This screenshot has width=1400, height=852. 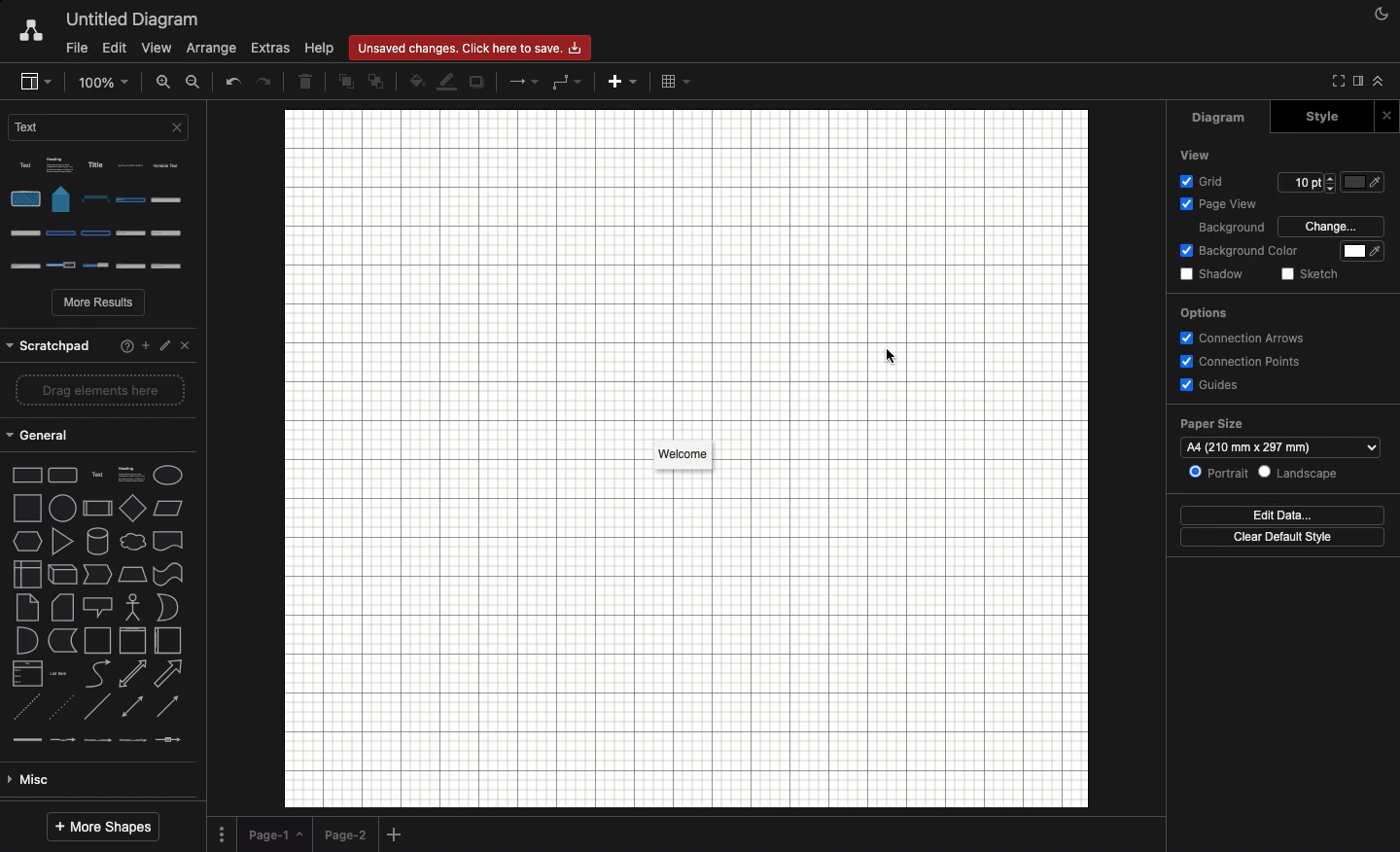 What do you see at coordinates (99, 438) in the screenshot?
I see `shape` at bounding box center [99, 438].